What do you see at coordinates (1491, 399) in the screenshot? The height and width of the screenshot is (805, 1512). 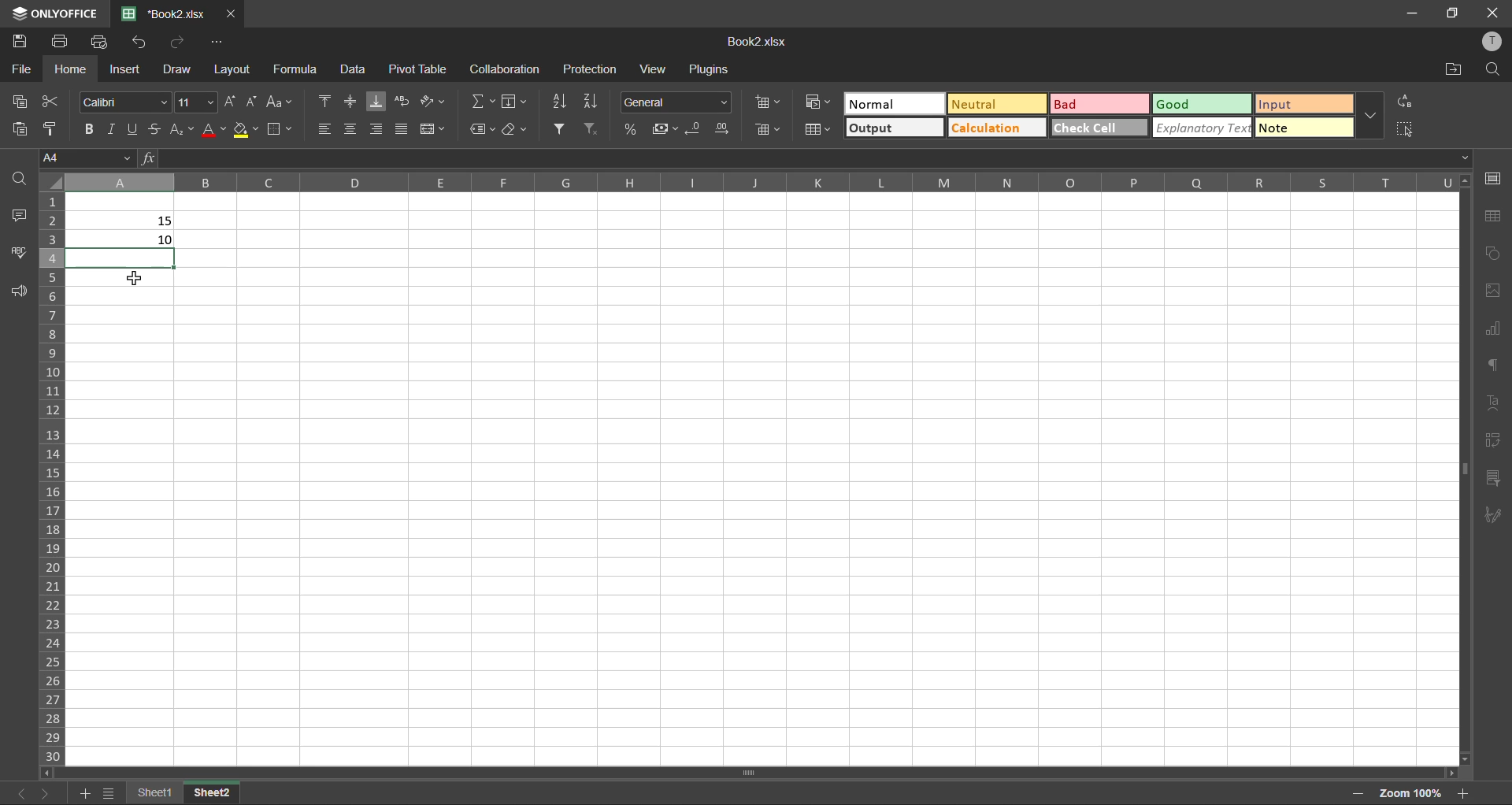 I see `text` at bounding box center [1491, 399].